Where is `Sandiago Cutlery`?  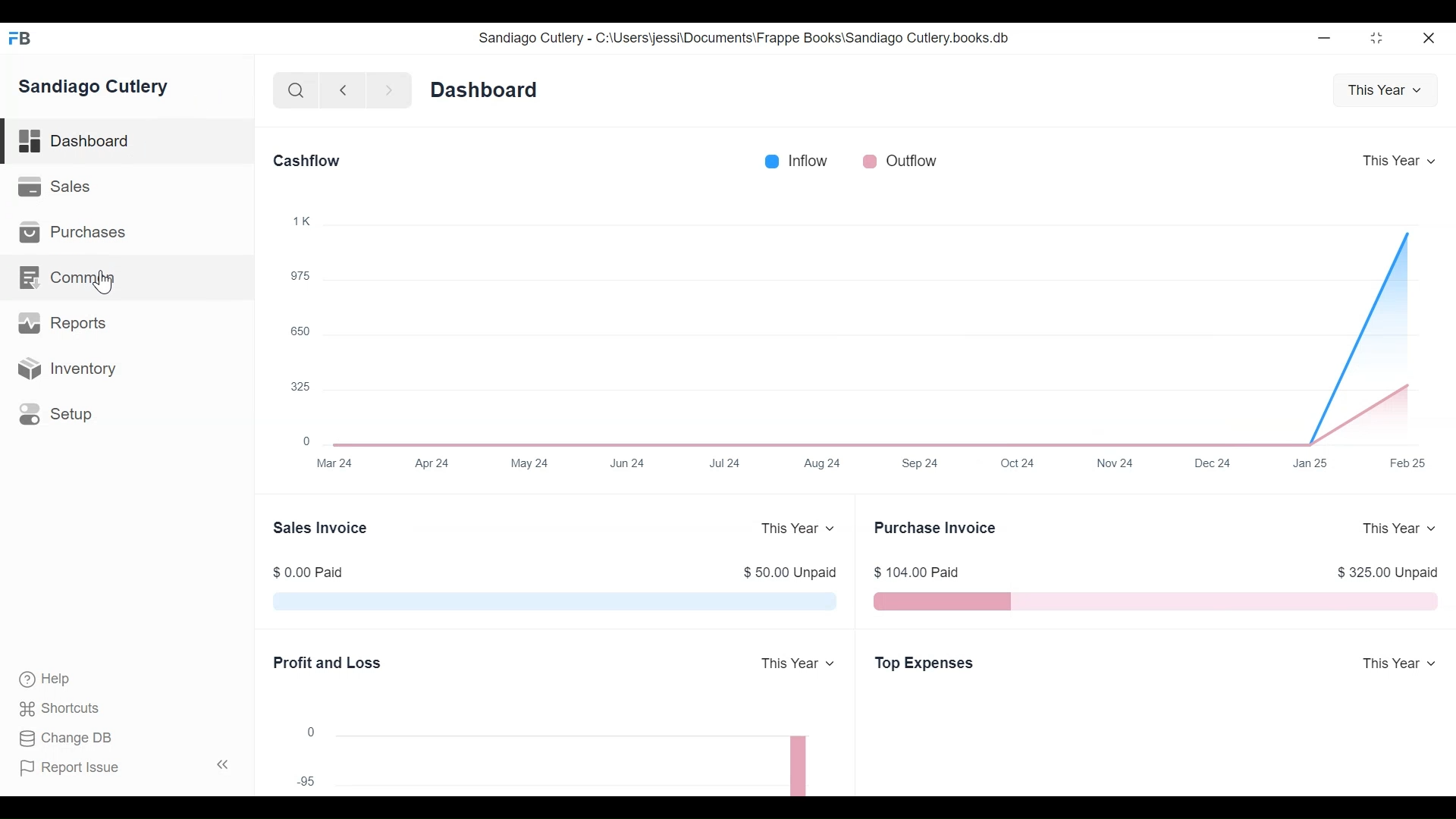
Sandiago Cutlery is located at coordinates (96, 88).